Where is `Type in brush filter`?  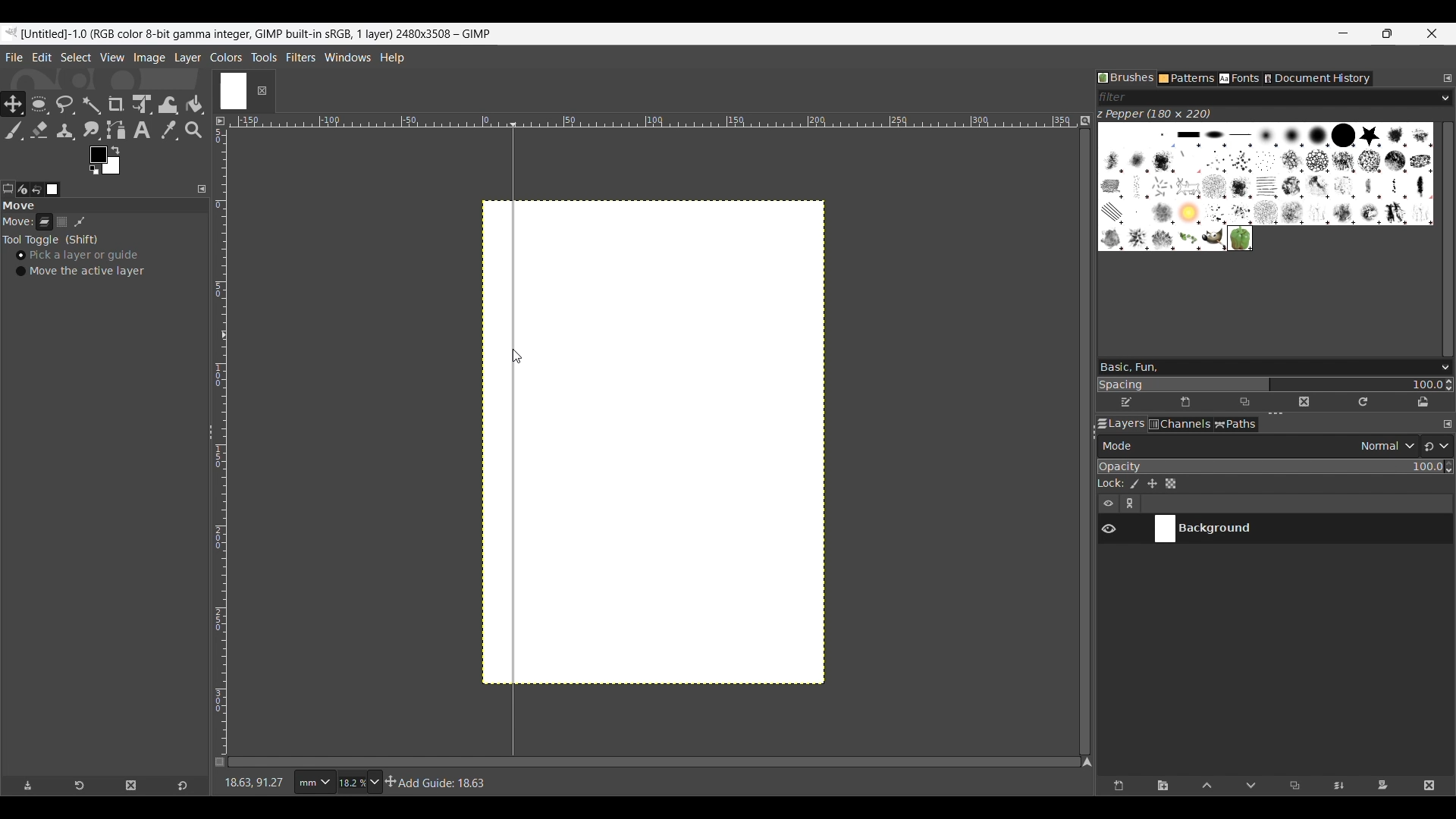
Type in brush filter is located at coordinates (1267, 98).